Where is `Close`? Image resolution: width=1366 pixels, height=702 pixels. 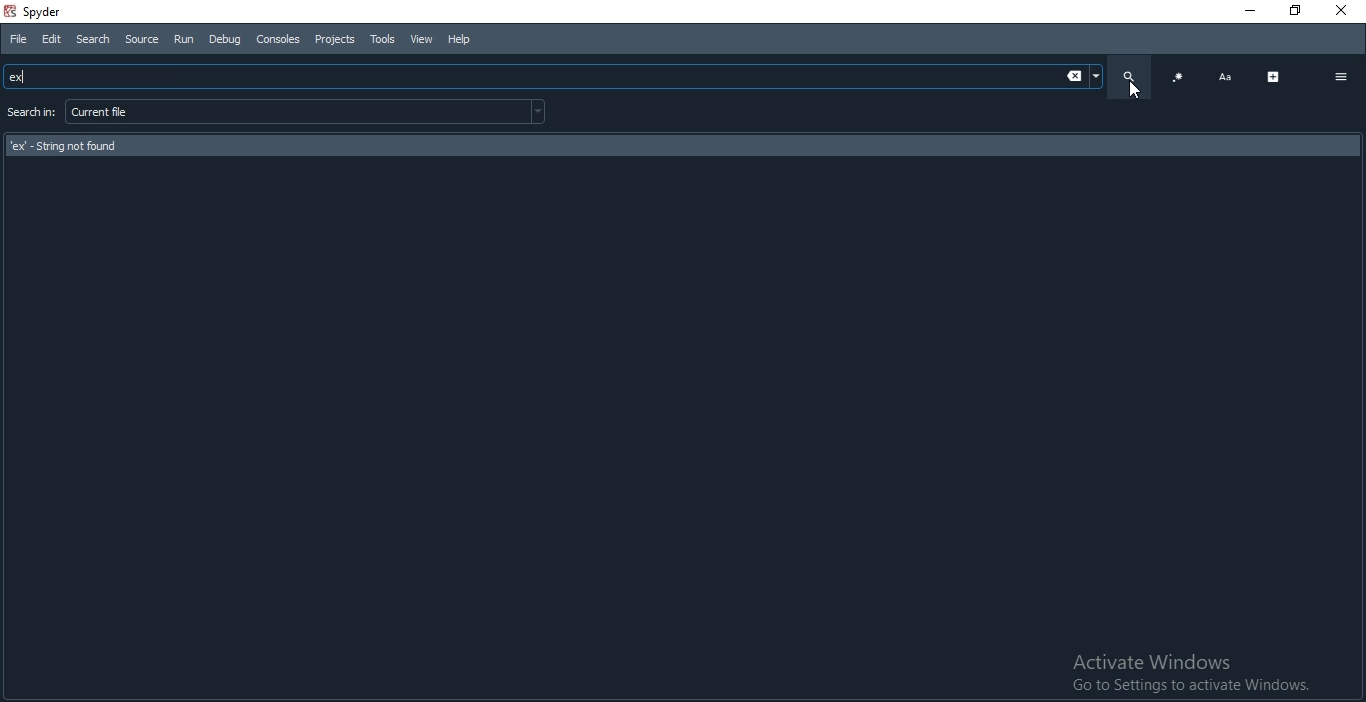
Close is located at coordinates (1341, 9).